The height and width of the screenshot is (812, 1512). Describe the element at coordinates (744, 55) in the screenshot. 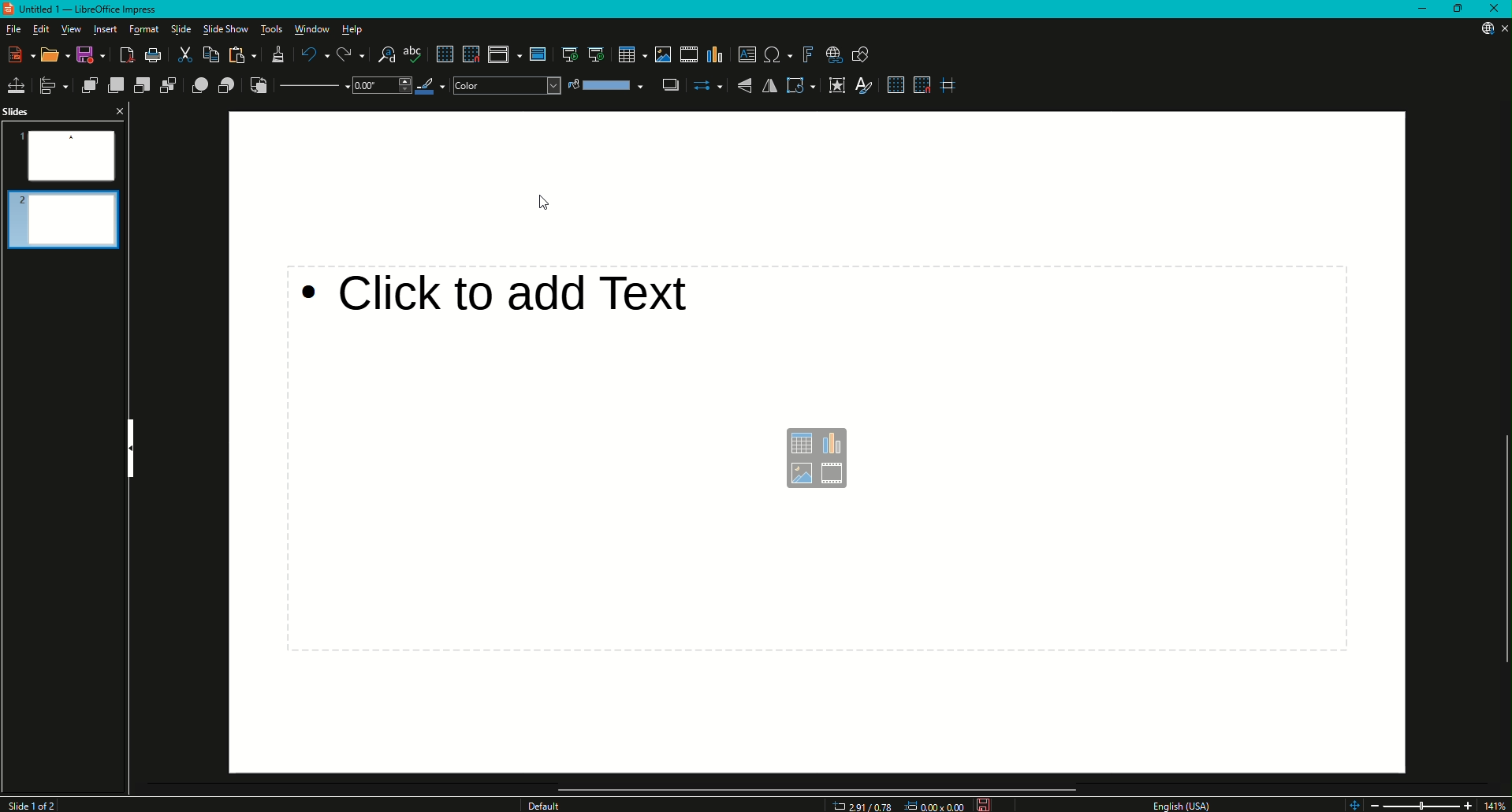

I see `Insert Textbox` at that location.